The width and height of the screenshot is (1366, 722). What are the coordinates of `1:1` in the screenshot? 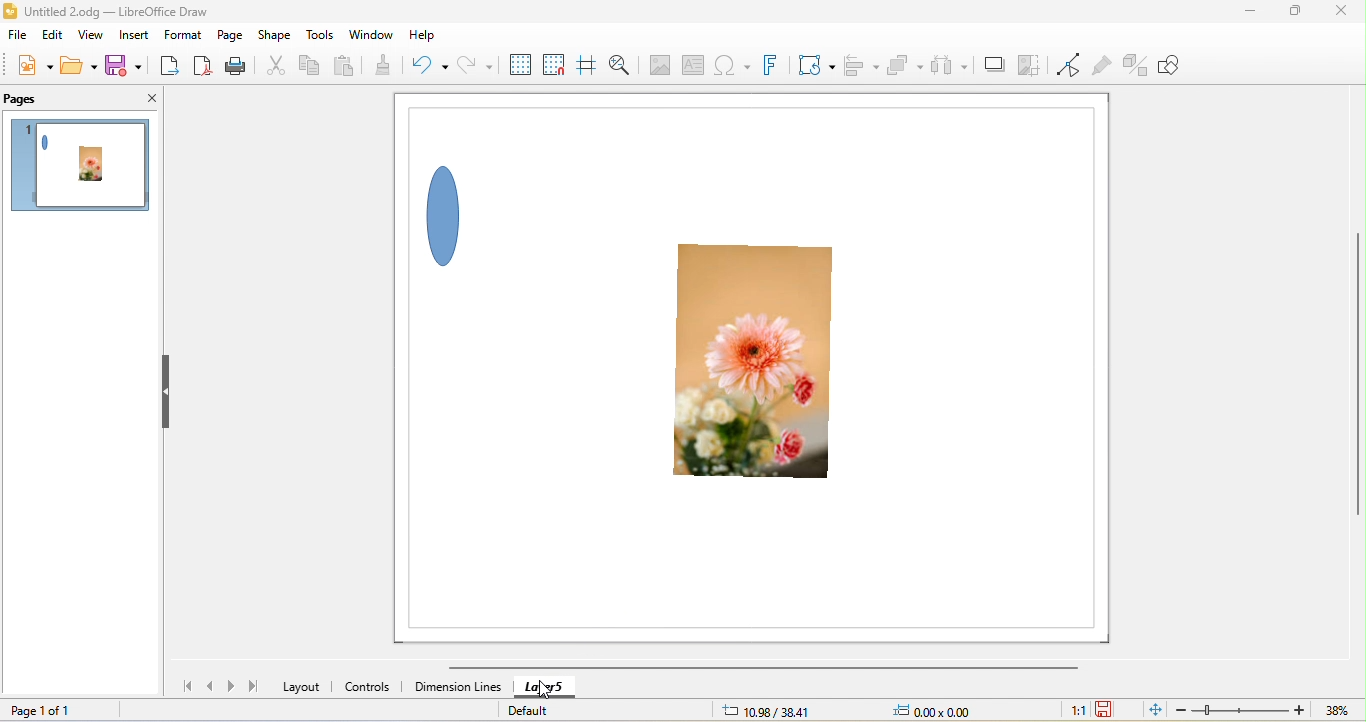 It's located at (1076, 710).